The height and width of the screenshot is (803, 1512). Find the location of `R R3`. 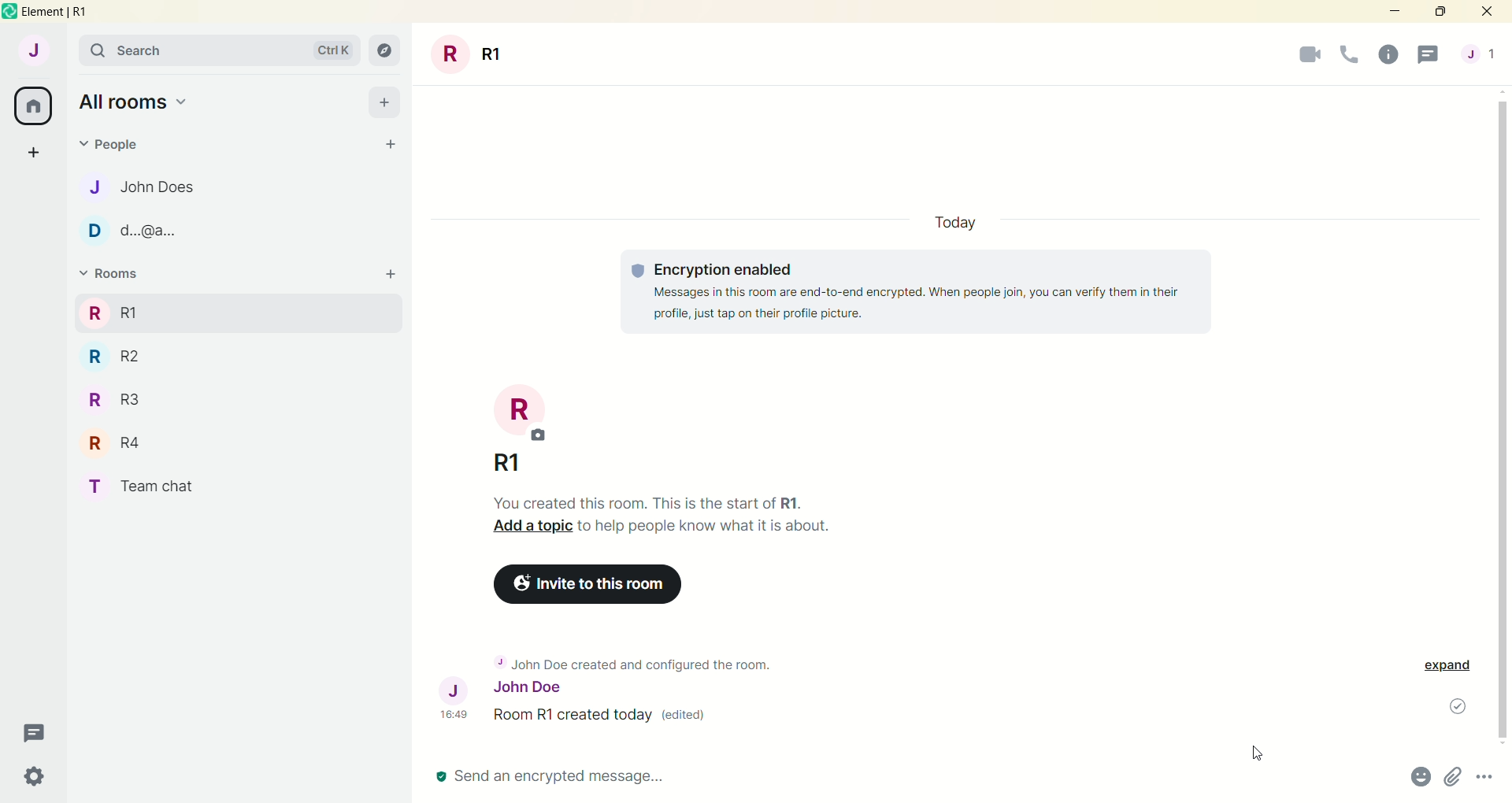

R R3 is located at coordinates (122, 399).